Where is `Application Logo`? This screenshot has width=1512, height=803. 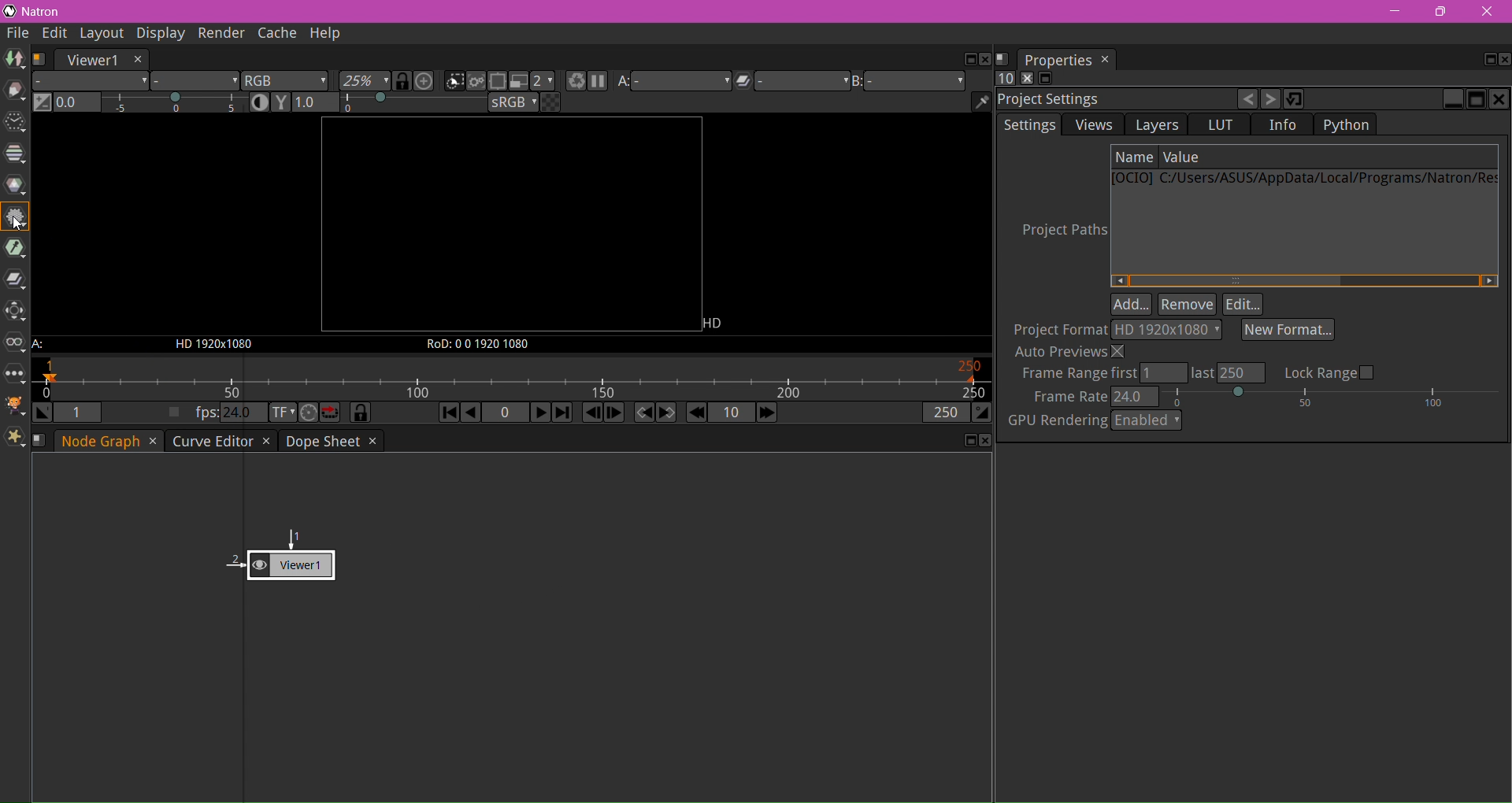
Application Logo is located at coordinates (9, 12).